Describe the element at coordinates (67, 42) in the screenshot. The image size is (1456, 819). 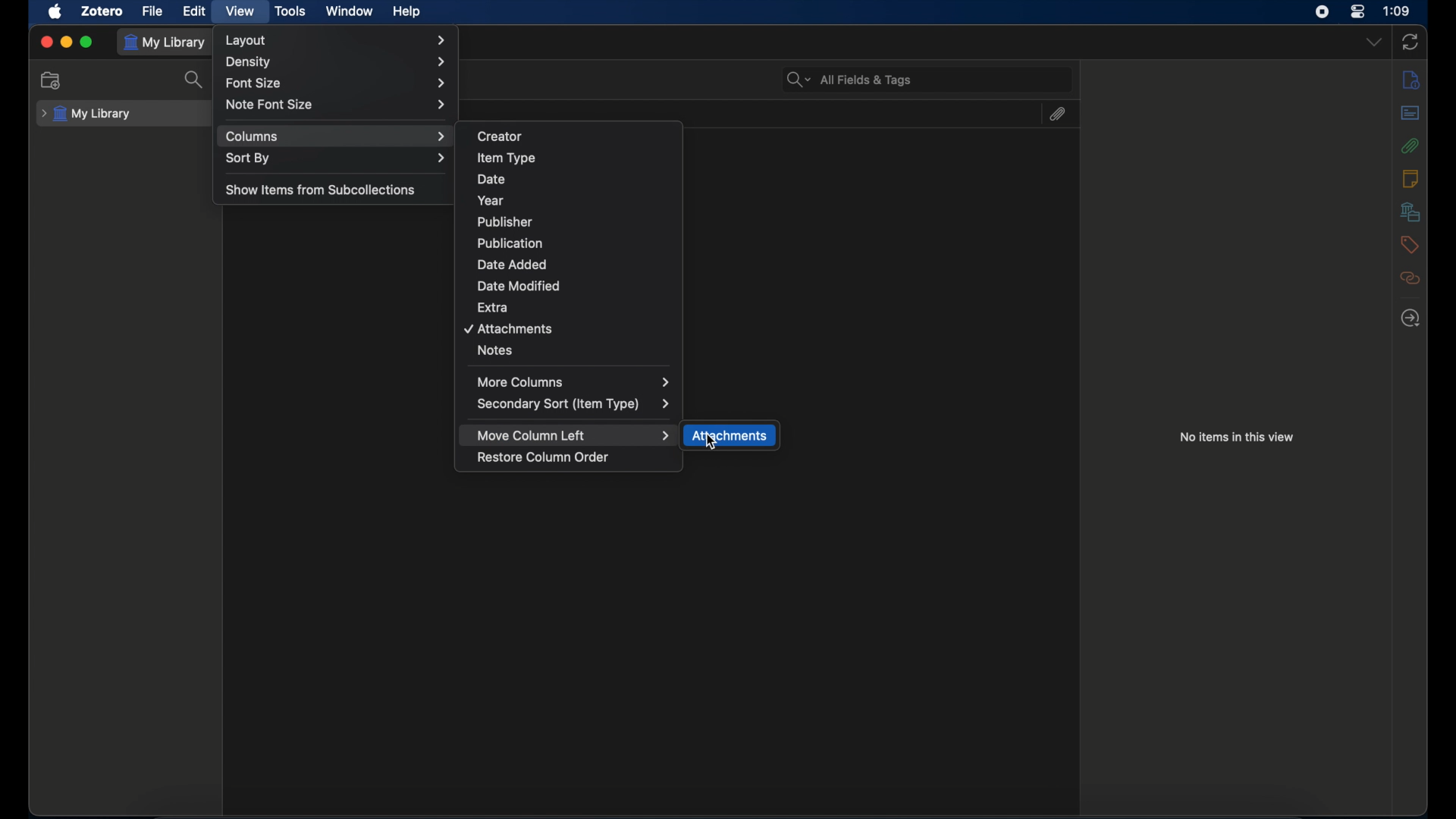
I see `minimize` at that location.